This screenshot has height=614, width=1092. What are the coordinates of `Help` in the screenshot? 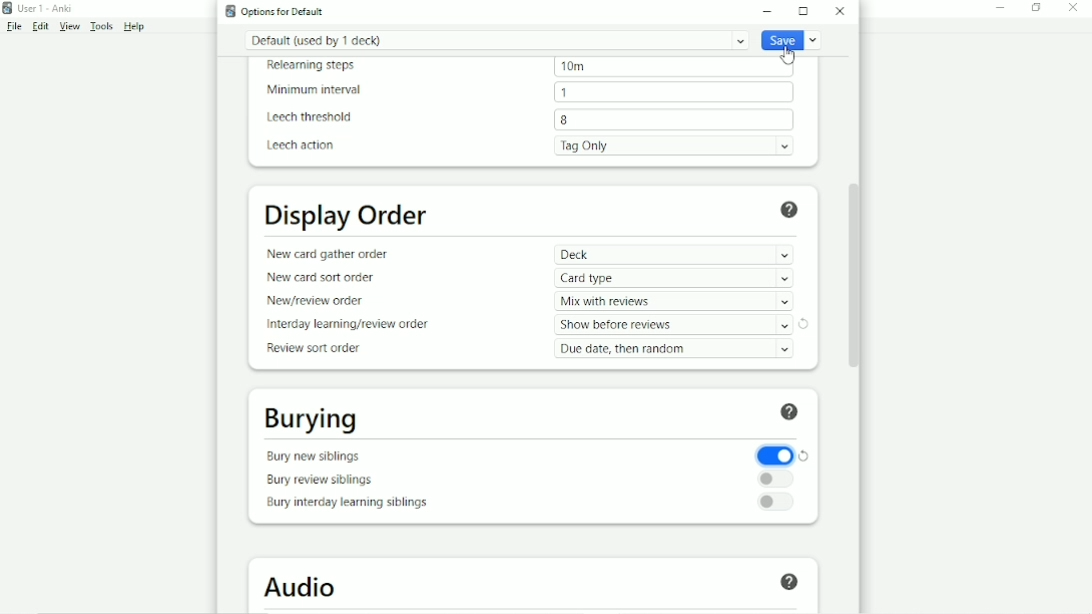 It's located at (794, 210).